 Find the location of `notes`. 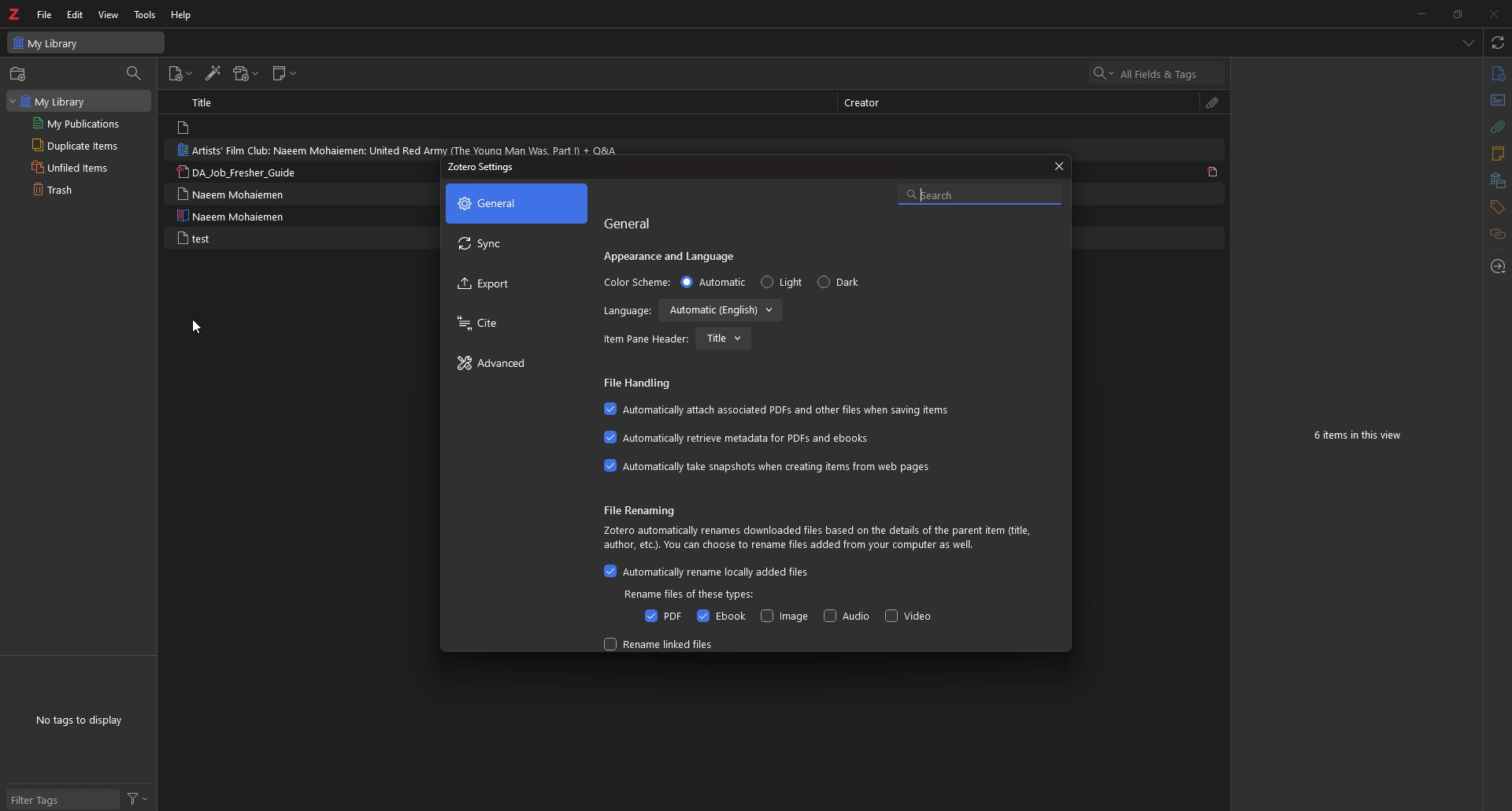

notes is located at coordinates (1497, 154).